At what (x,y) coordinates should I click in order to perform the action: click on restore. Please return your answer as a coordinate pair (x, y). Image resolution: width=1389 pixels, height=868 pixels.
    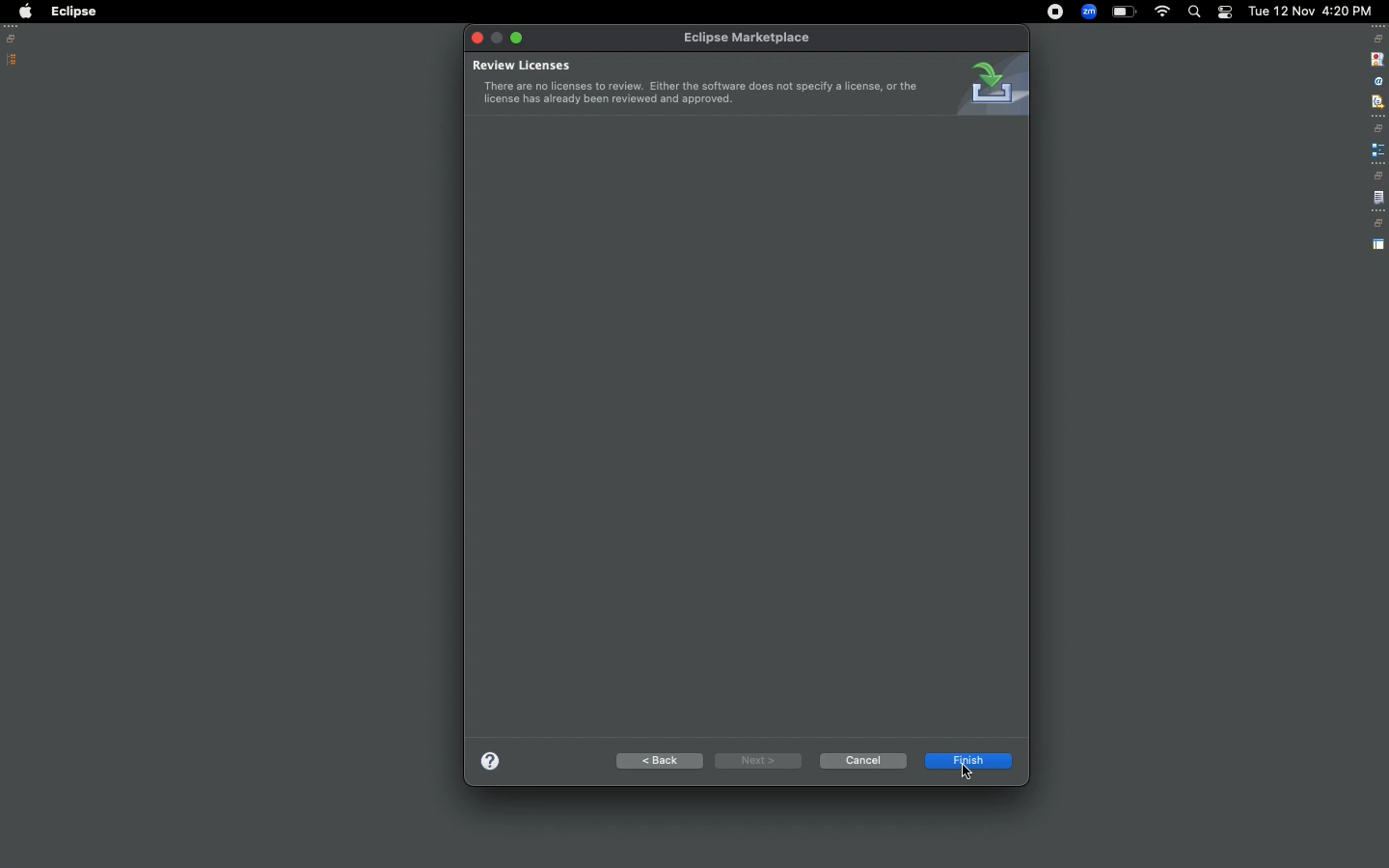
    Looking at the image, I should click on (1379, 128).